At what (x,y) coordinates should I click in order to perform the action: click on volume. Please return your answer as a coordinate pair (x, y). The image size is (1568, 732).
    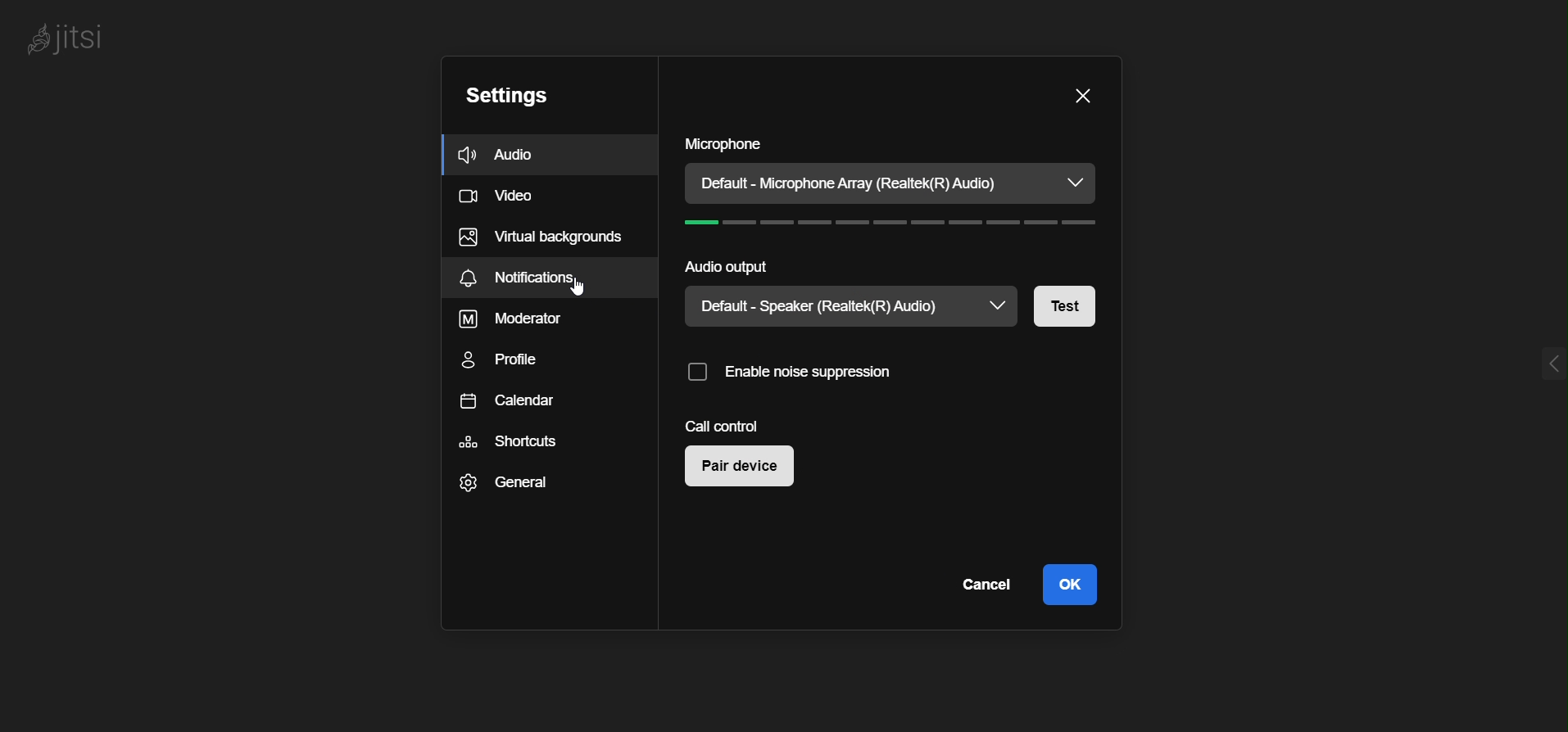
    Looking at the image, I should click on (892, 222).